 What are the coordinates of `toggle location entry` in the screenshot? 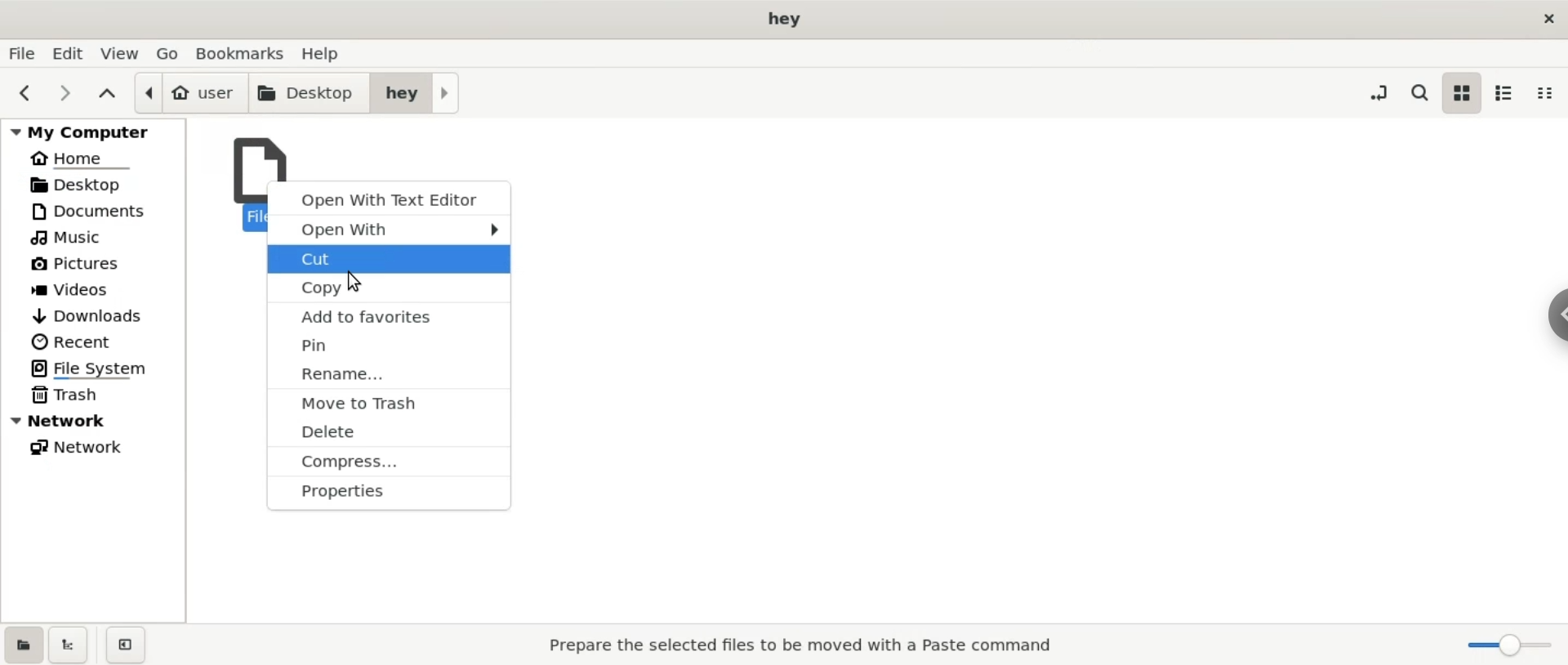 It's located at (1379, 95).